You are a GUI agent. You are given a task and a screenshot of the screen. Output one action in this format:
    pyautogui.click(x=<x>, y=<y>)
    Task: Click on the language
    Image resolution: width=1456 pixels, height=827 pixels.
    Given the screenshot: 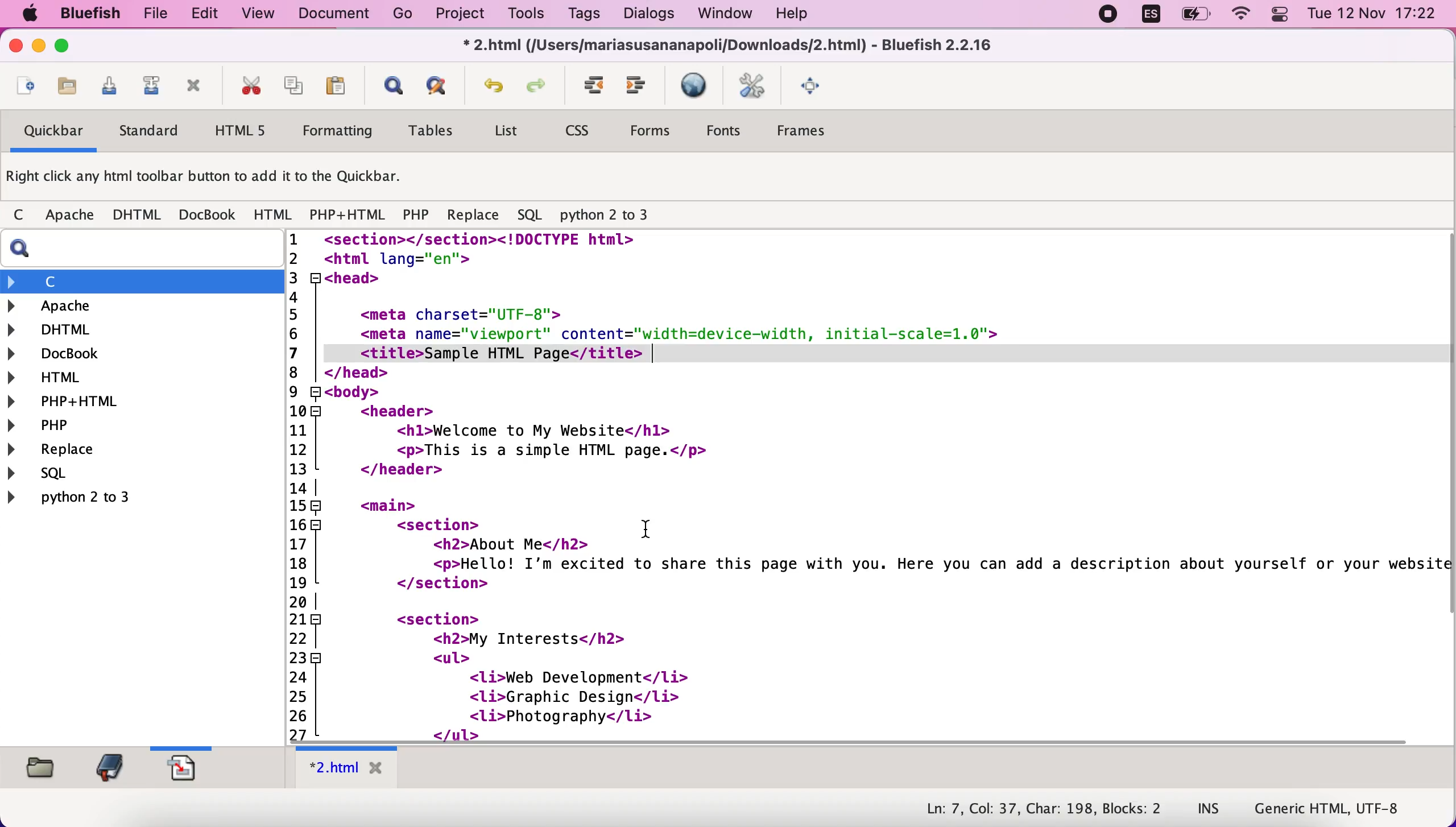 What is the action you would take?
    pyautogui.click(x=1151, y=17)
    